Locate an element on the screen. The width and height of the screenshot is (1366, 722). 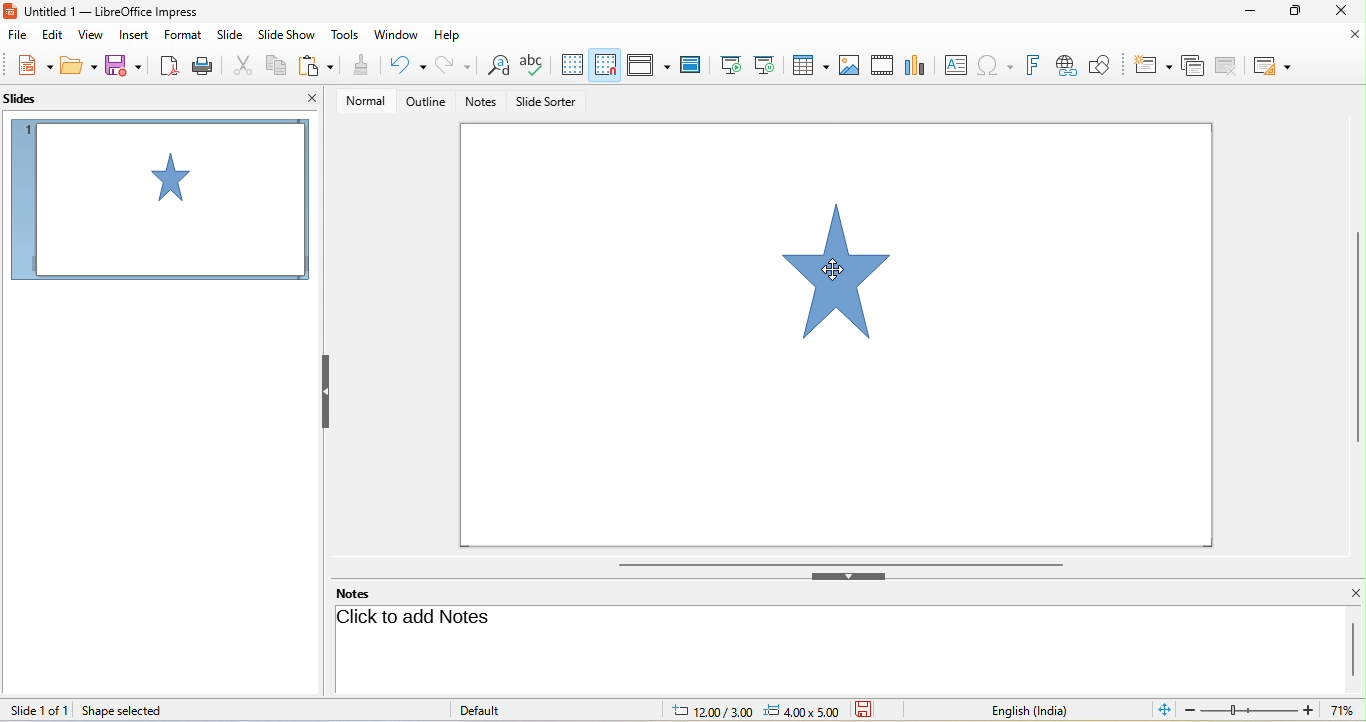
spelling is located at coordinates (533, 65).